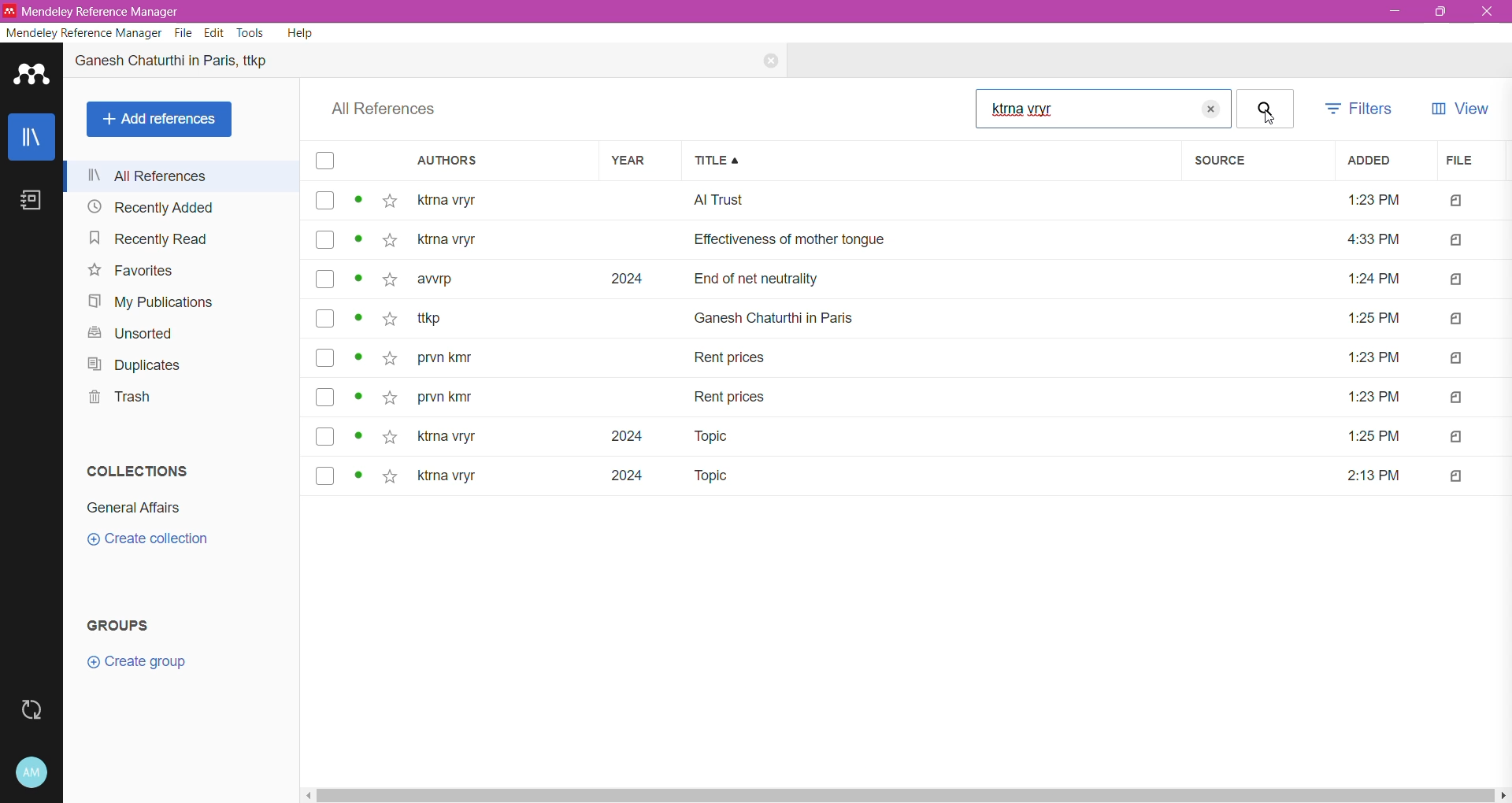  Describe the element at coordinates (148, 303) in the screenshot. I see `My Publications` at that location.